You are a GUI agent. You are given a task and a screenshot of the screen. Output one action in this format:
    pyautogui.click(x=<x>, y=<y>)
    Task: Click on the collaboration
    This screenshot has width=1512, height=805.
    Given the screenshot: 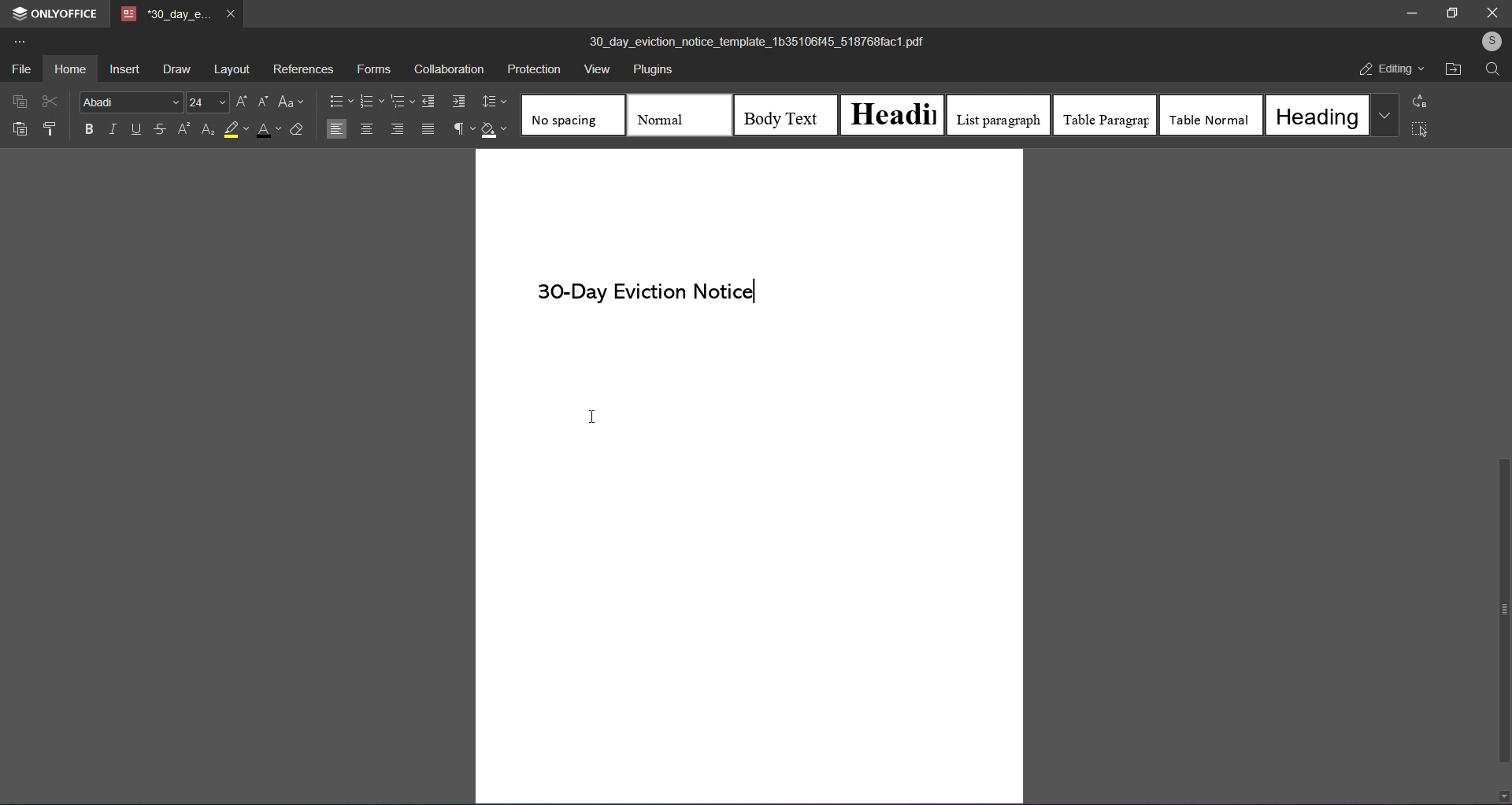 What is the action you would take?
    pyautogui.click(x=447, y=69)
    